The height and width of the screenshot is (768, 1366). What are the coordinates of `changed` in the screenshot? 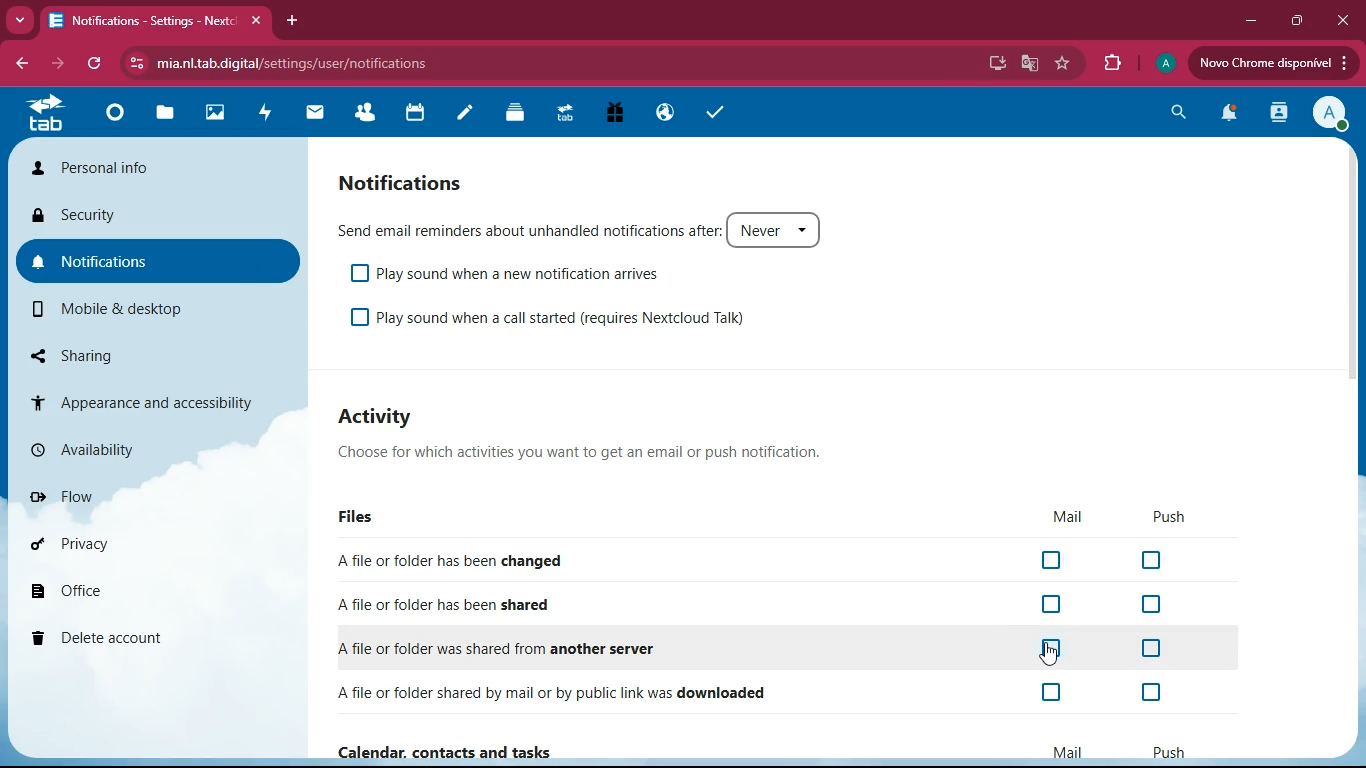 It's located at (490, 561).